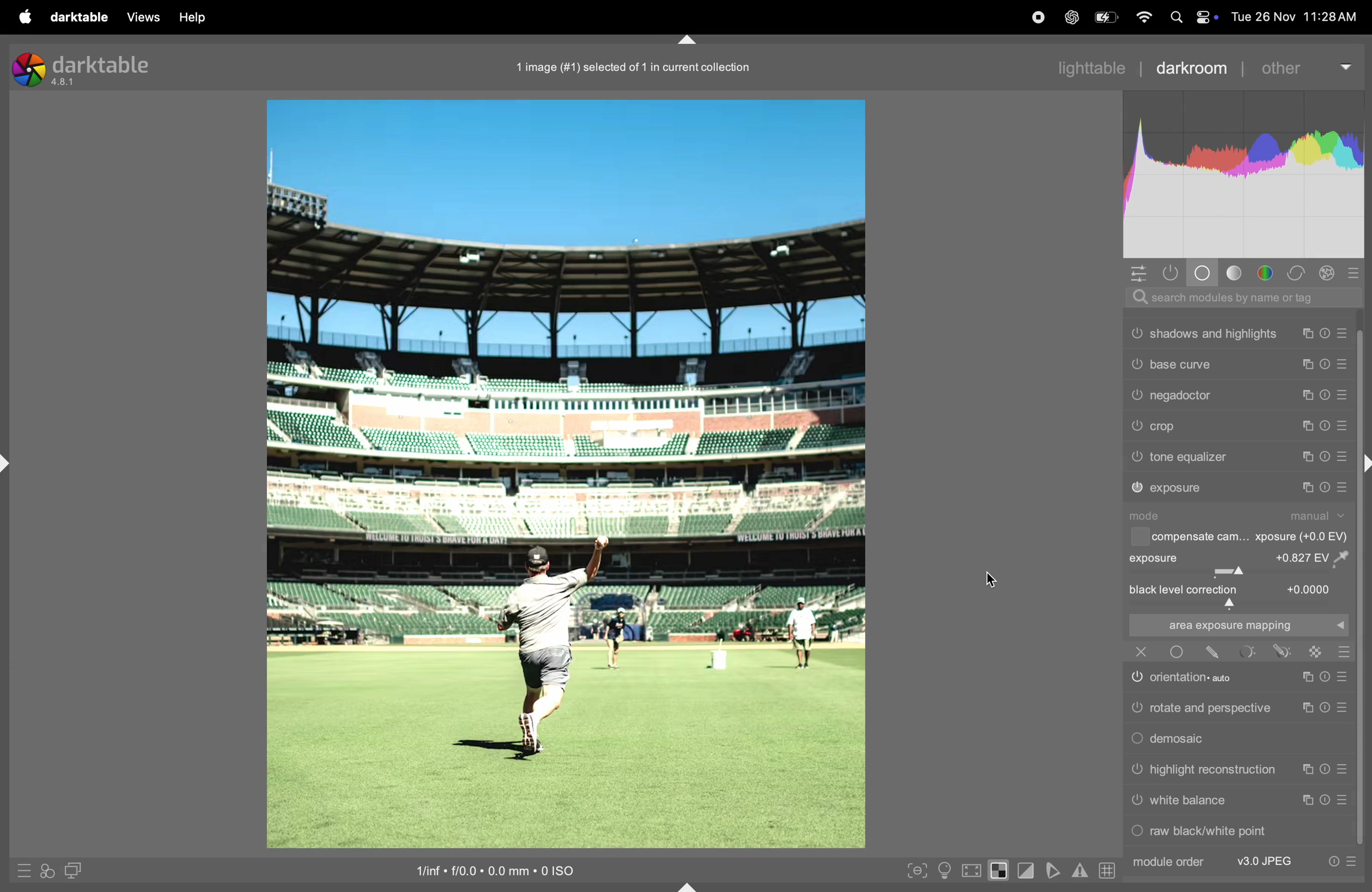  What do you see at coordinates (1310, 395) in the screenshot?
I see `copy` at bounding box center [1310, 395].